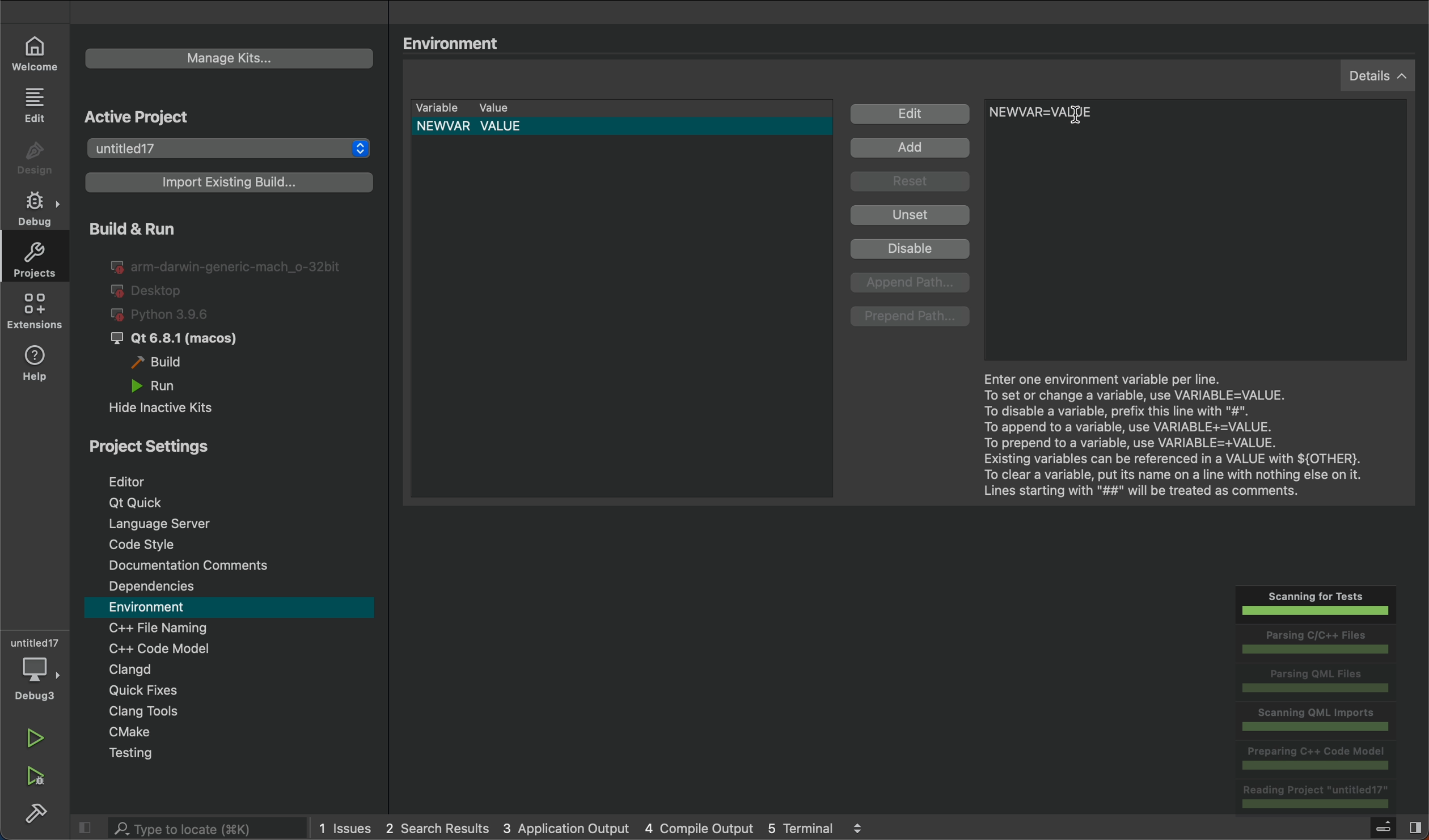 The width and height of the screenshot is (1429, 840). I want to click on details, so click(1382, 75).